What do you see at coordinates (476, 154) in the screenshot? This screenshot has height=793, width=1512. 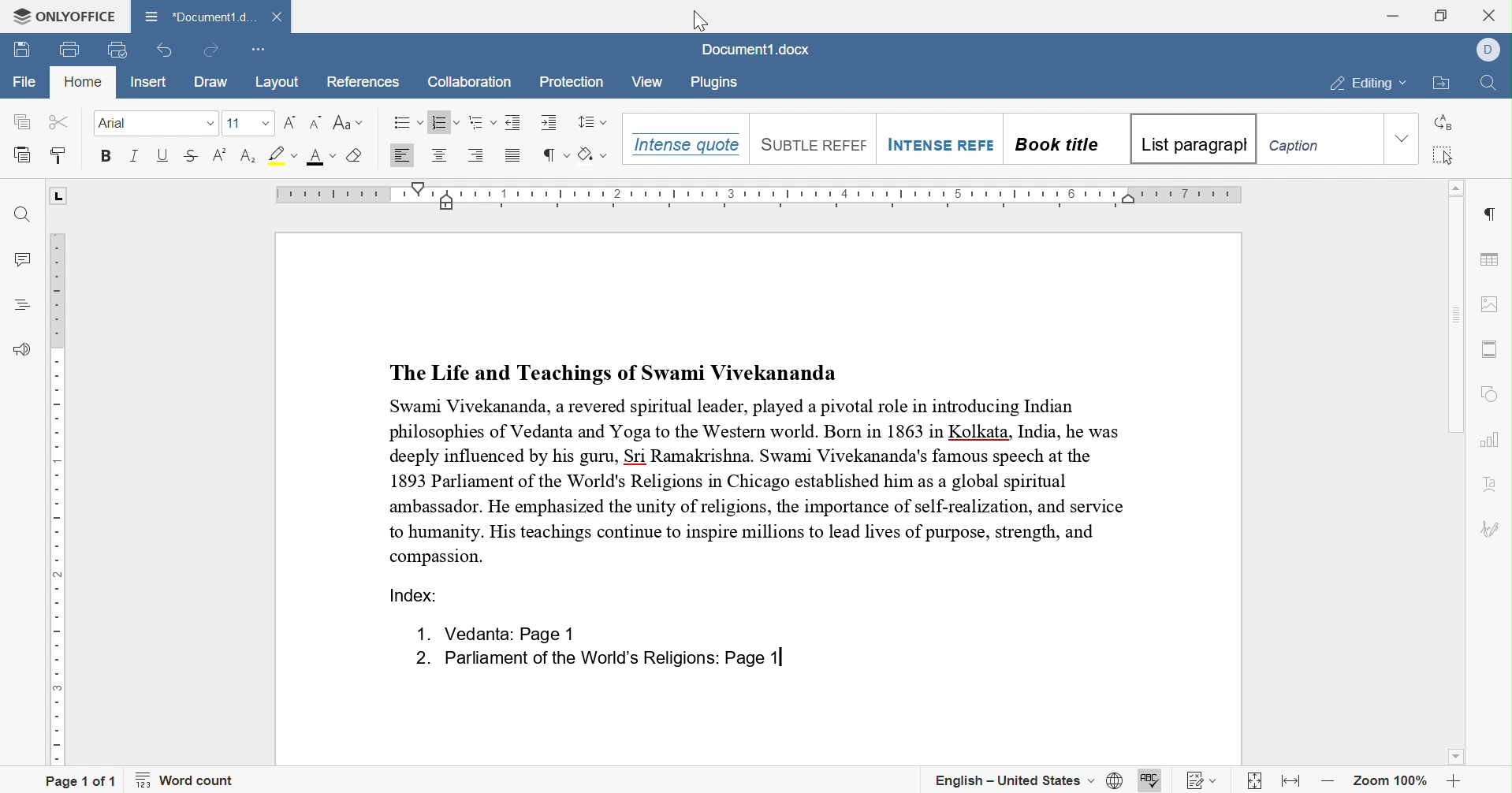 I see `align right` at bounding box center [476, 154].